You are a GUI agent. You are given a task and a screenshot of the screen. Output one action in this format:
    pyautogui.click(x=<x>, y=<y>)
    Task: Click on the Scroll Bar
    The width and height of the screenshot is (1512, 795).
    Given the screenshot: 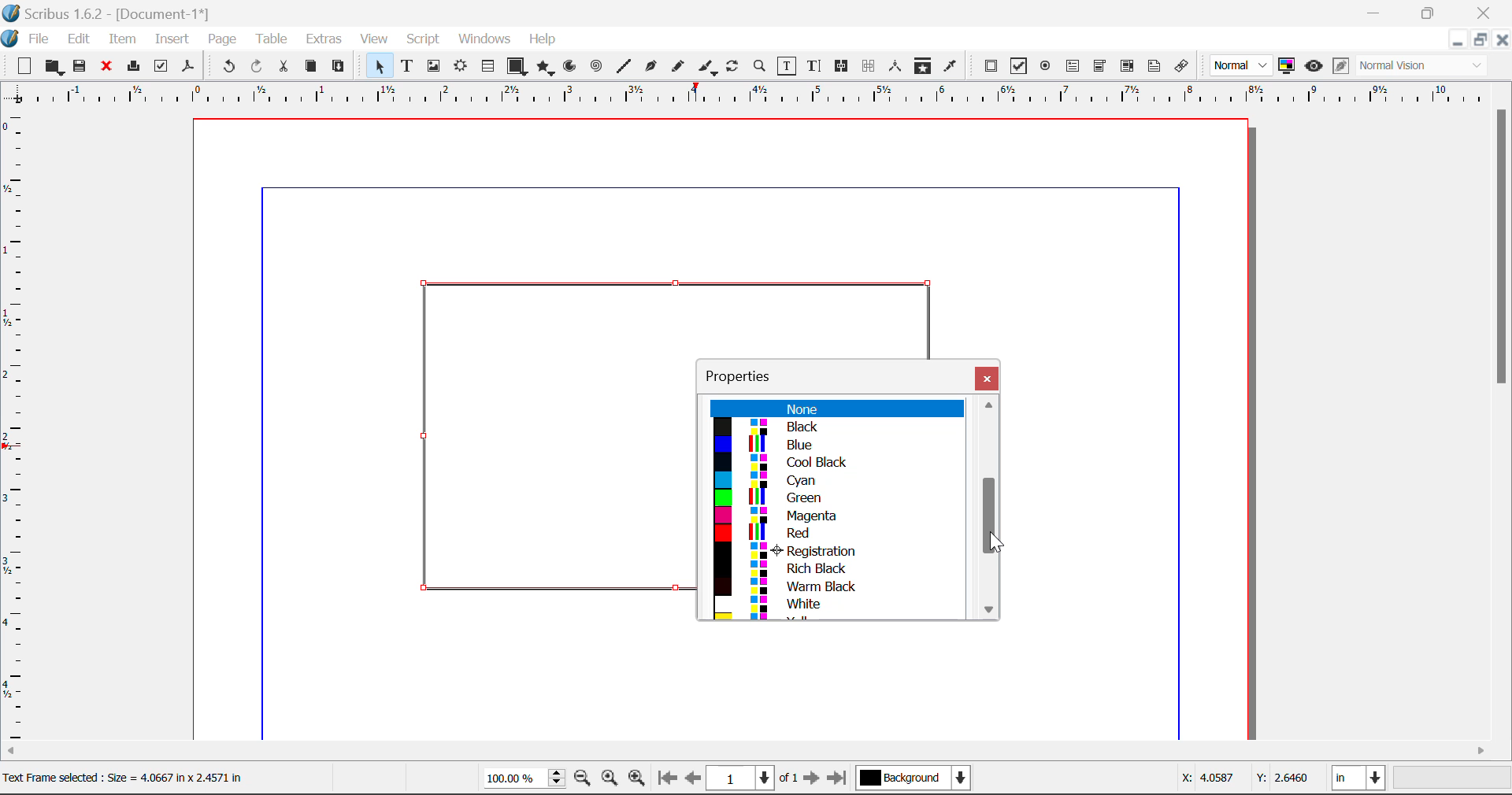 What is the action you would take?
    pyautogui.click(x=757, y=752)
    